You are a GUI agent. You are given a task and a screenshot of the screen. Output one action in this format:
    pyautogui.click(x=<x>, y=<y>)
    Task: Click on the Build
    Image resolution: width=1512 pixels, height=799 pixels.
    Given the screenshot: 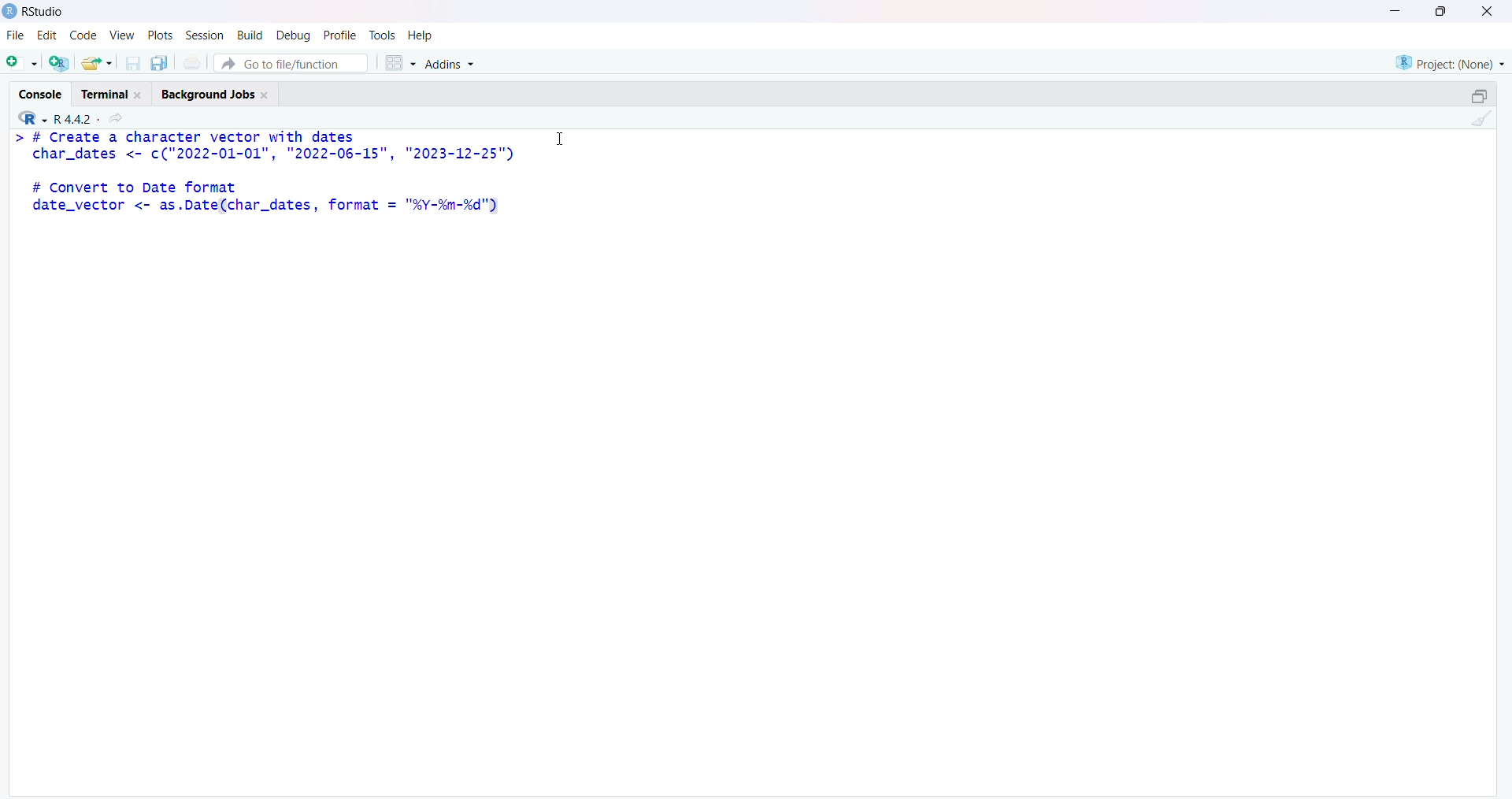 What is the action you would take?
    pyautogui.click(x=246, y=36)
    